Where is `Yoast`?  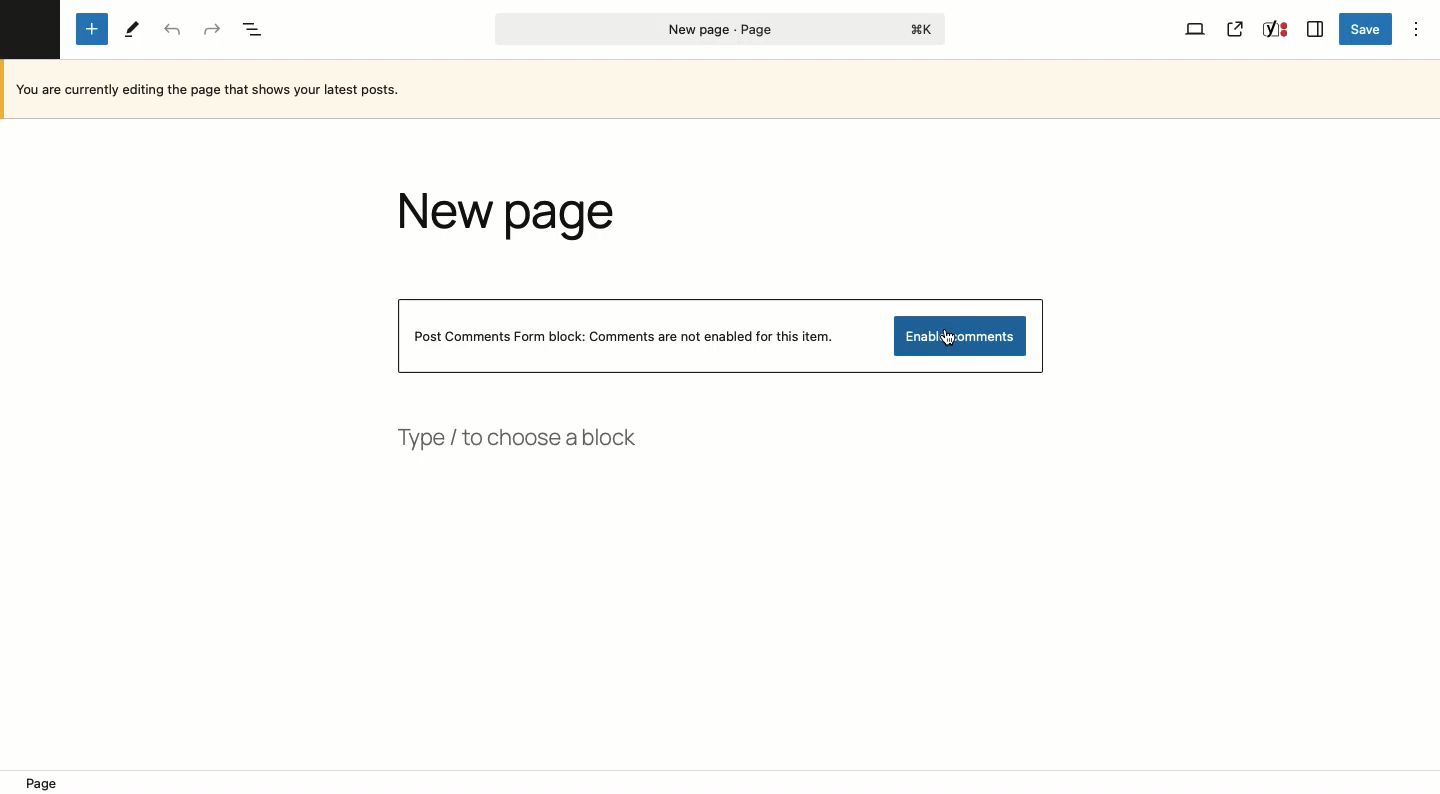 Yoast is located at coordinates (1276, 28).